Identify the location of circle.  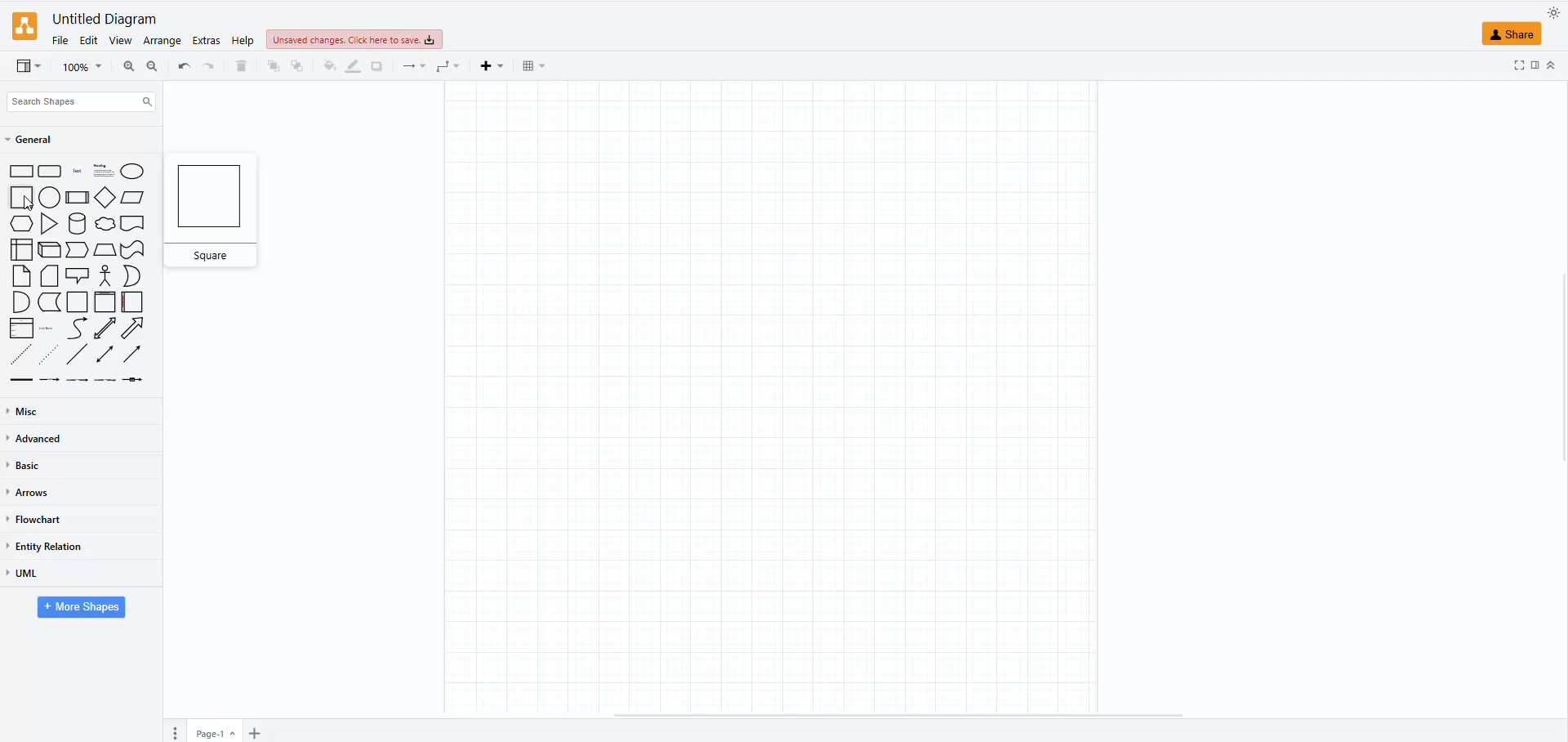
(49, 199).